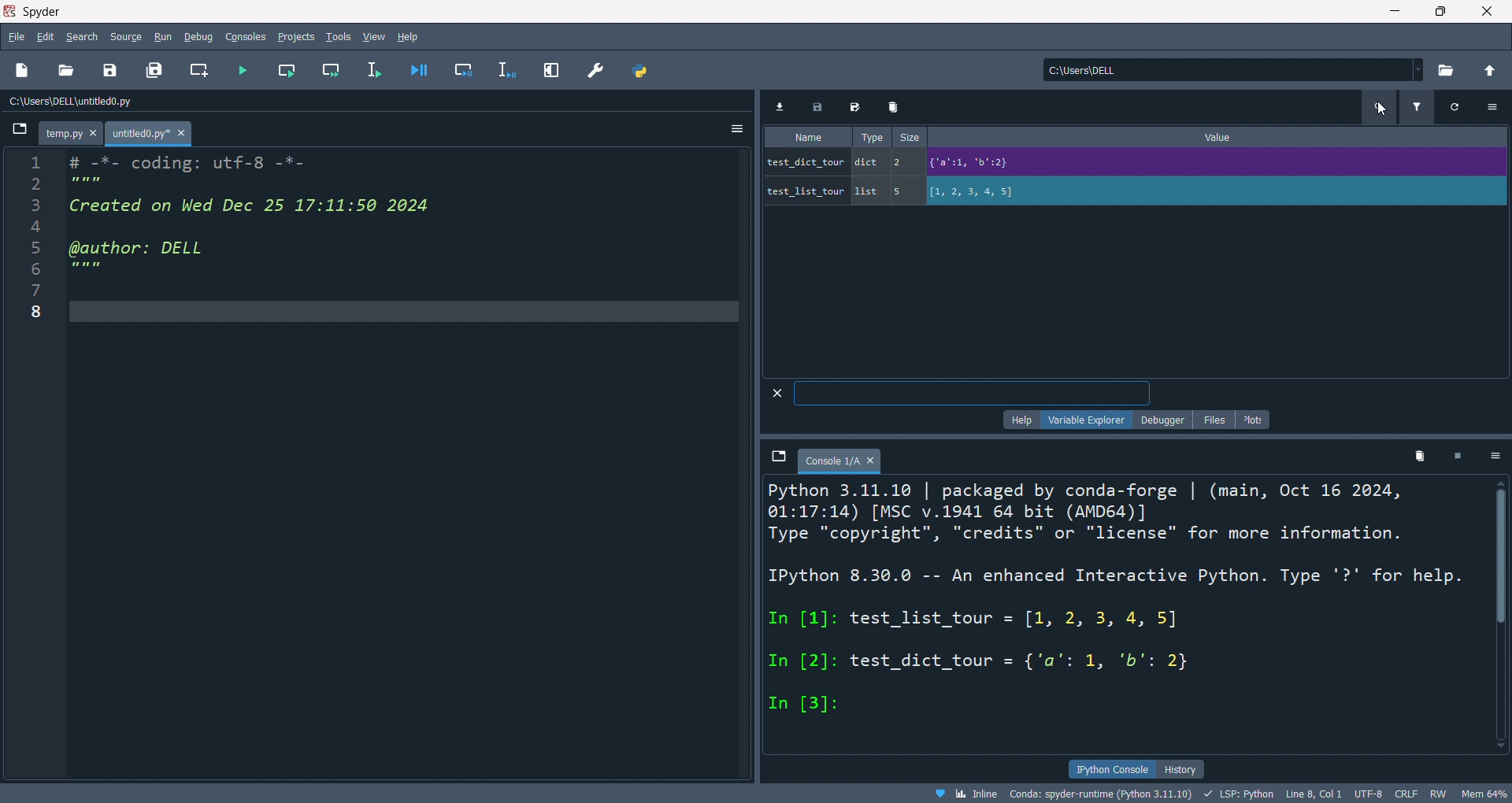 The width and height of the screenshot is (1512, 803). I want to click on  close kernel, so click(1464, 457).